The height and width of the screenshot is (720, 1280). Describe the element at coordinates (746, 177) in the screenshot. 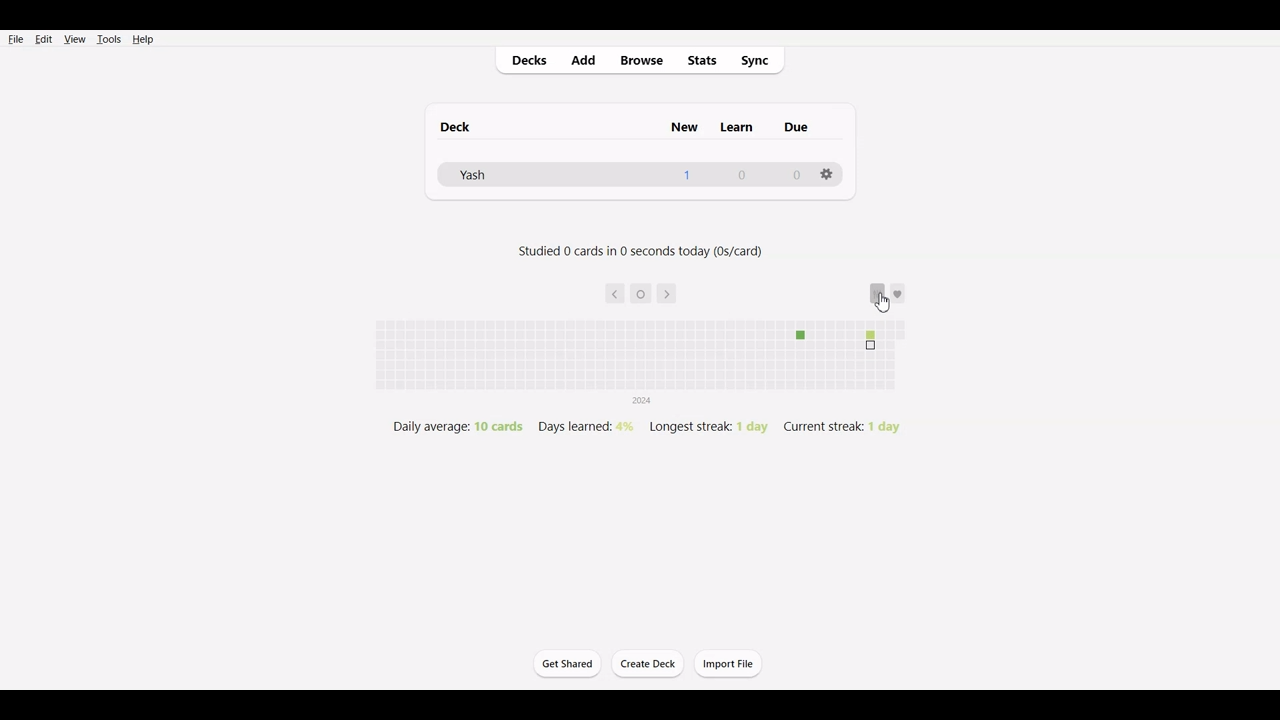

I see `0` at that location.